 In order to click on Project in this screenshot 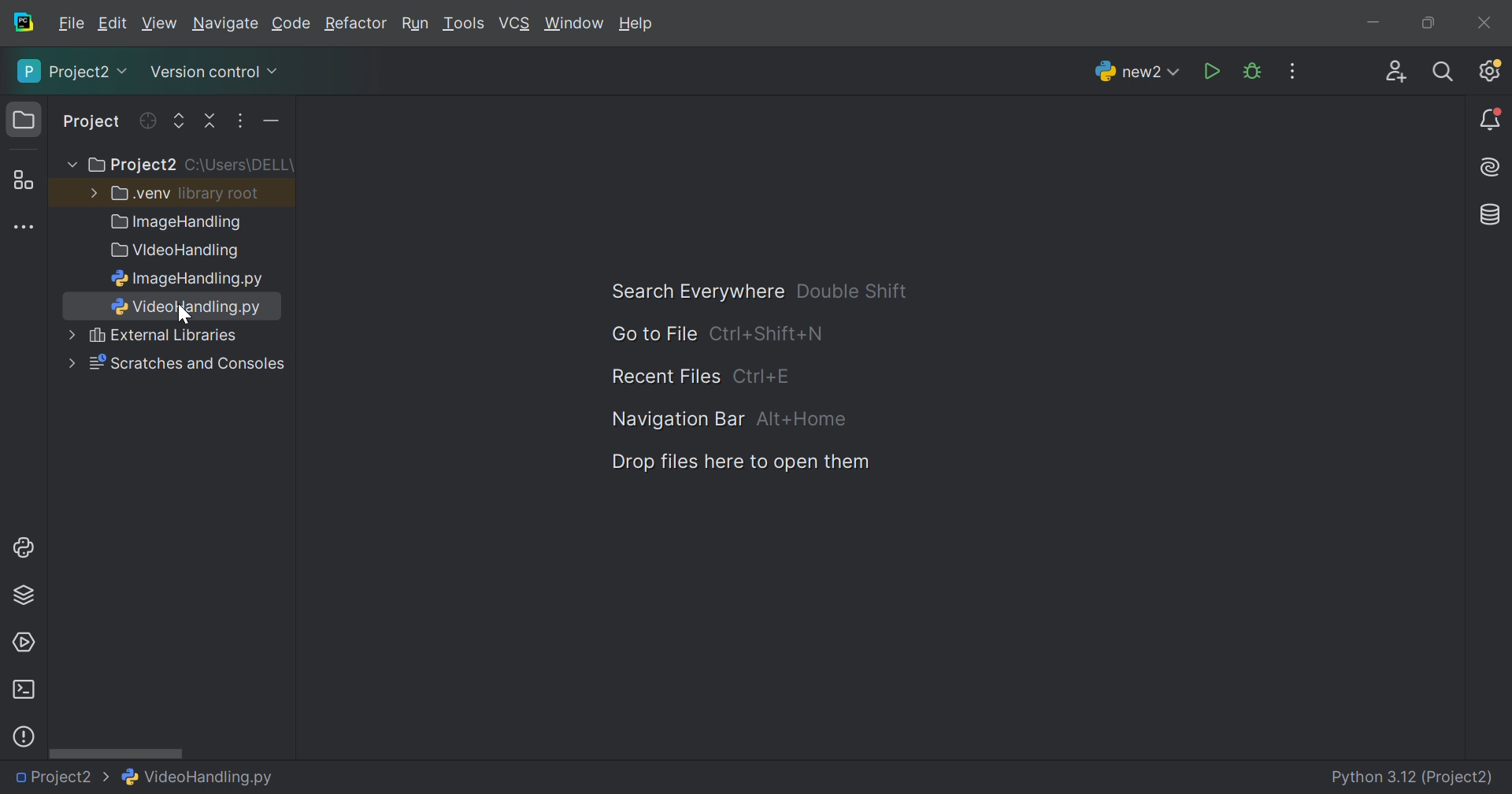, I will do `click(93, 123)`.